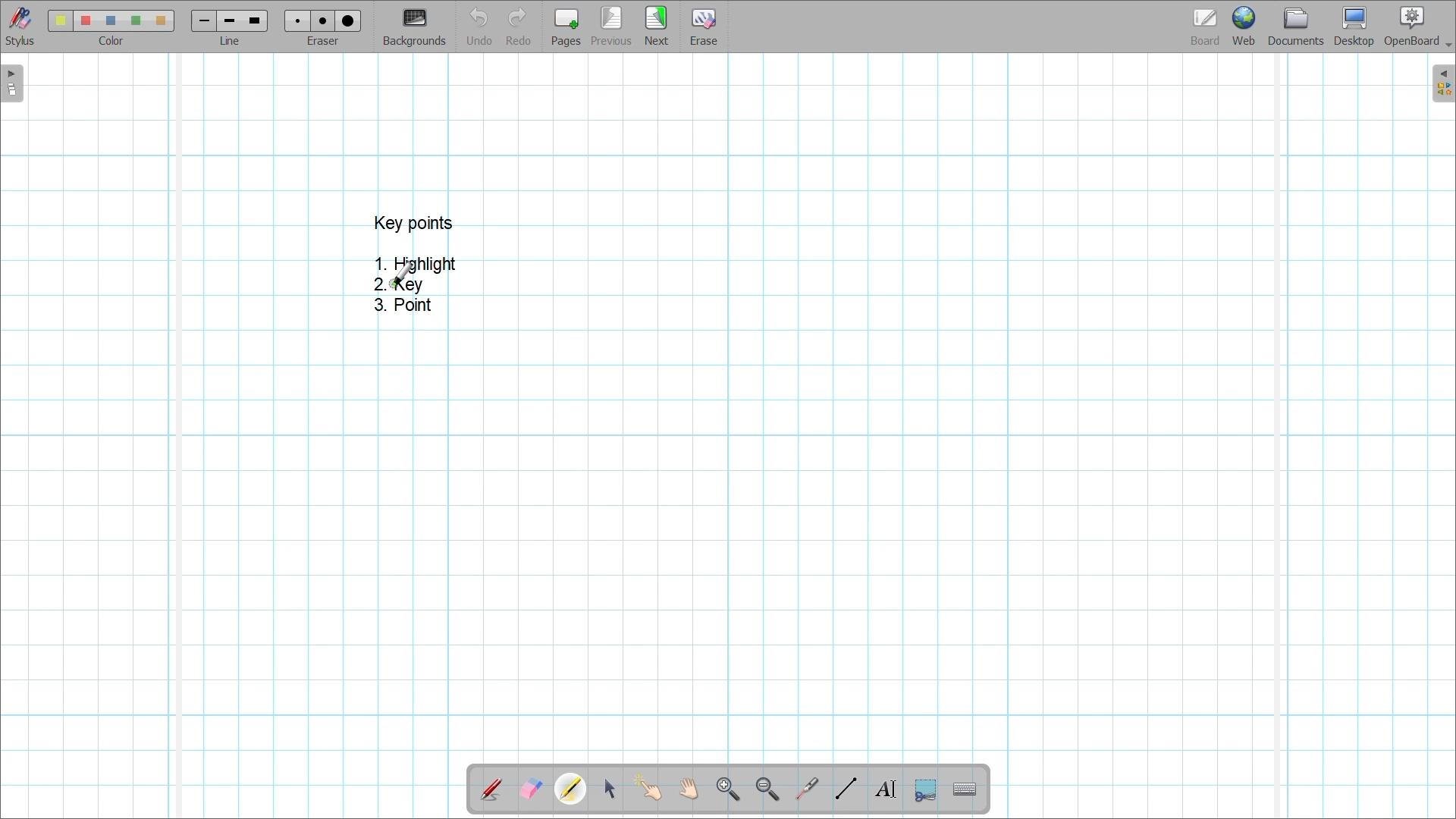  I want to click on eraser 3, so click(349, 20).